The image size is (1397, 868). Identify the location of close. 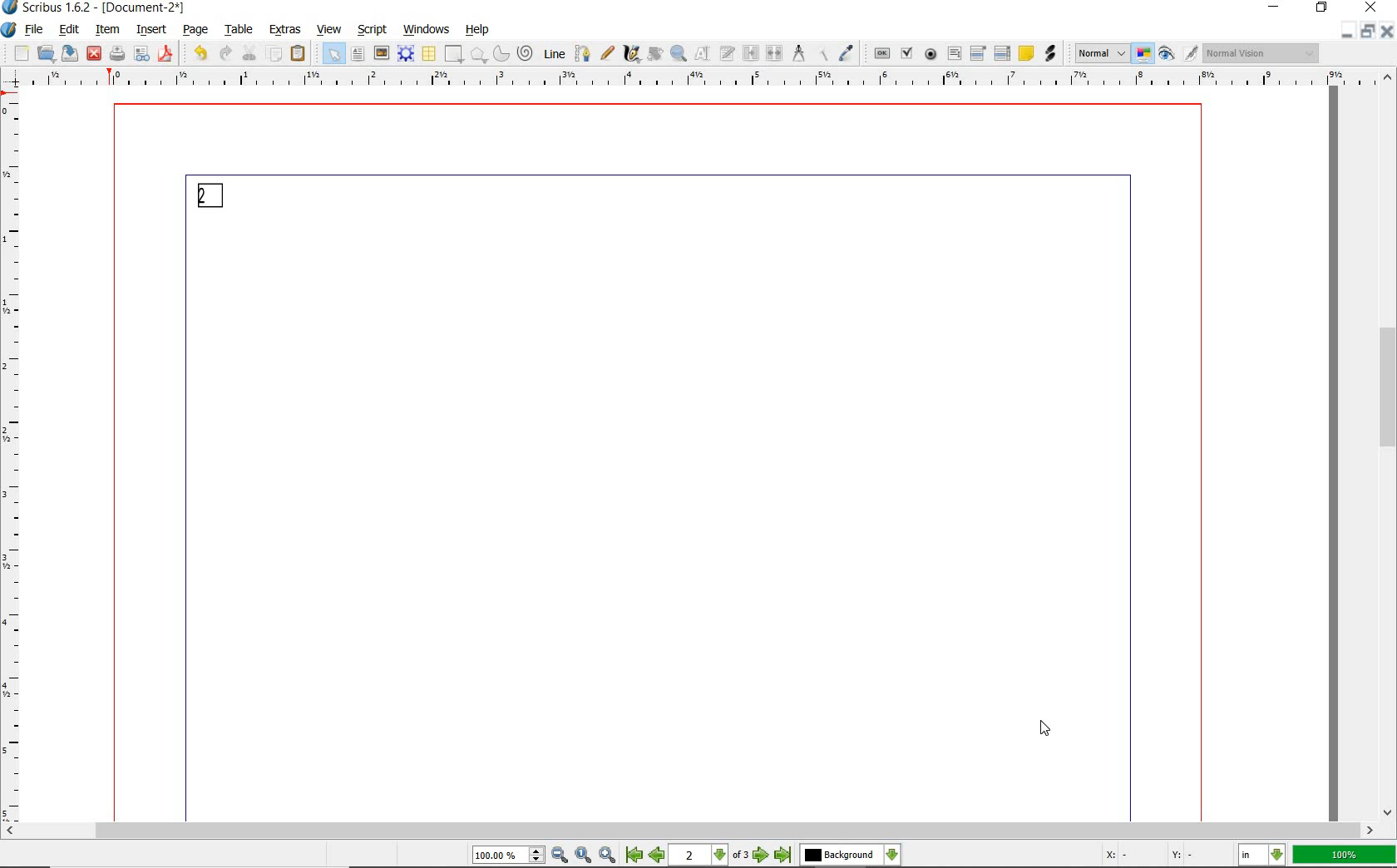
(94, 53).